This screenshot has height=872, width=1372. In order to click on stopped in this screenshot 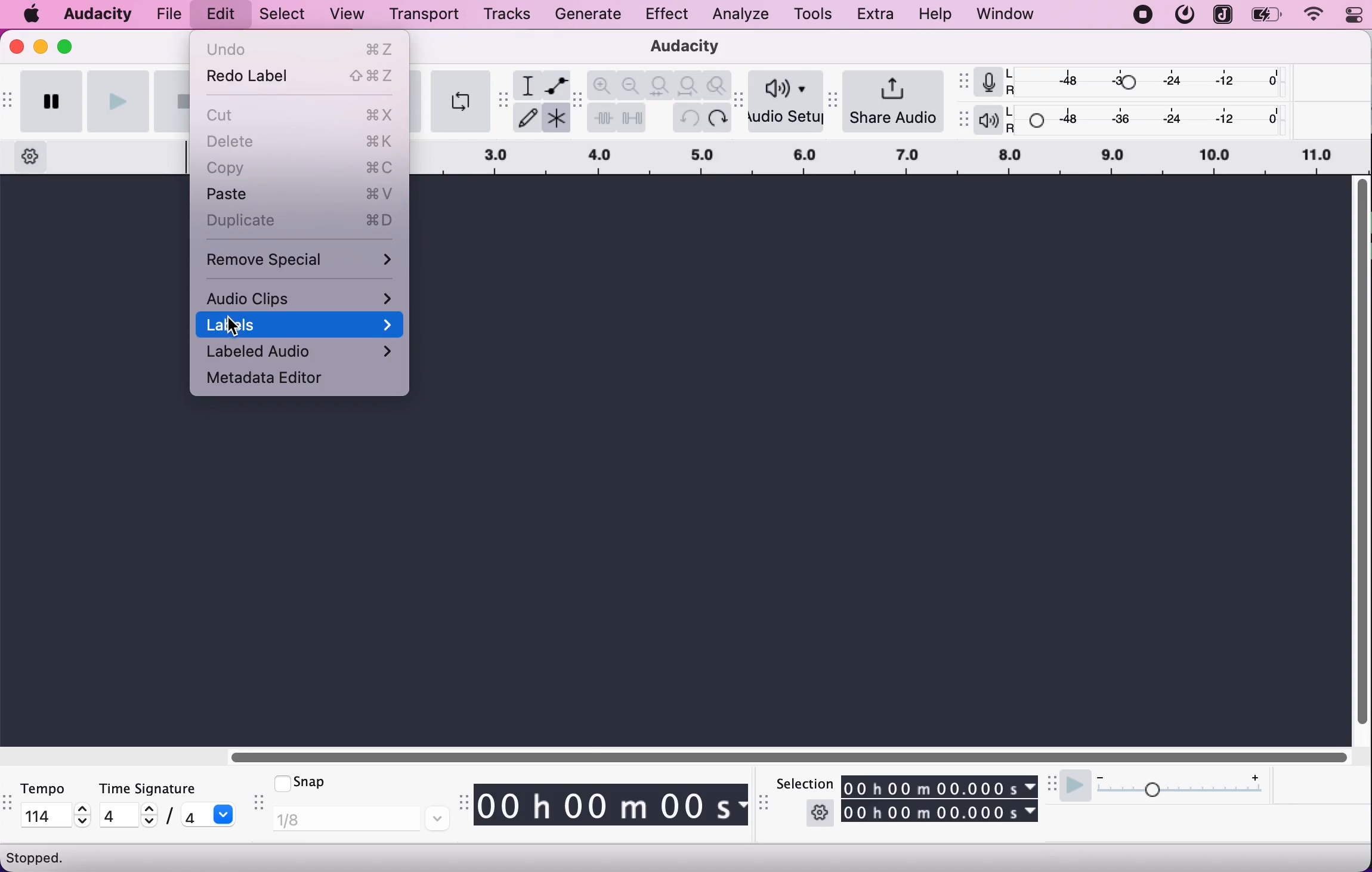, I will do `click(37, 857)`.